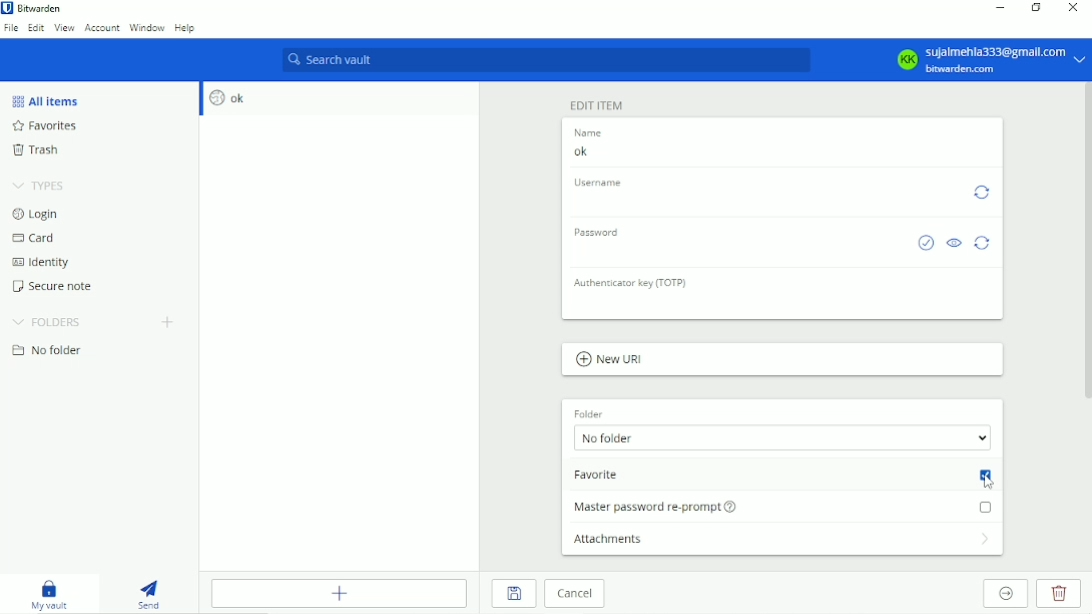 The image size is (1092, 614). Describe the element at coordinates (586, 131) in the screenshot. I see `Name ok` at that location.